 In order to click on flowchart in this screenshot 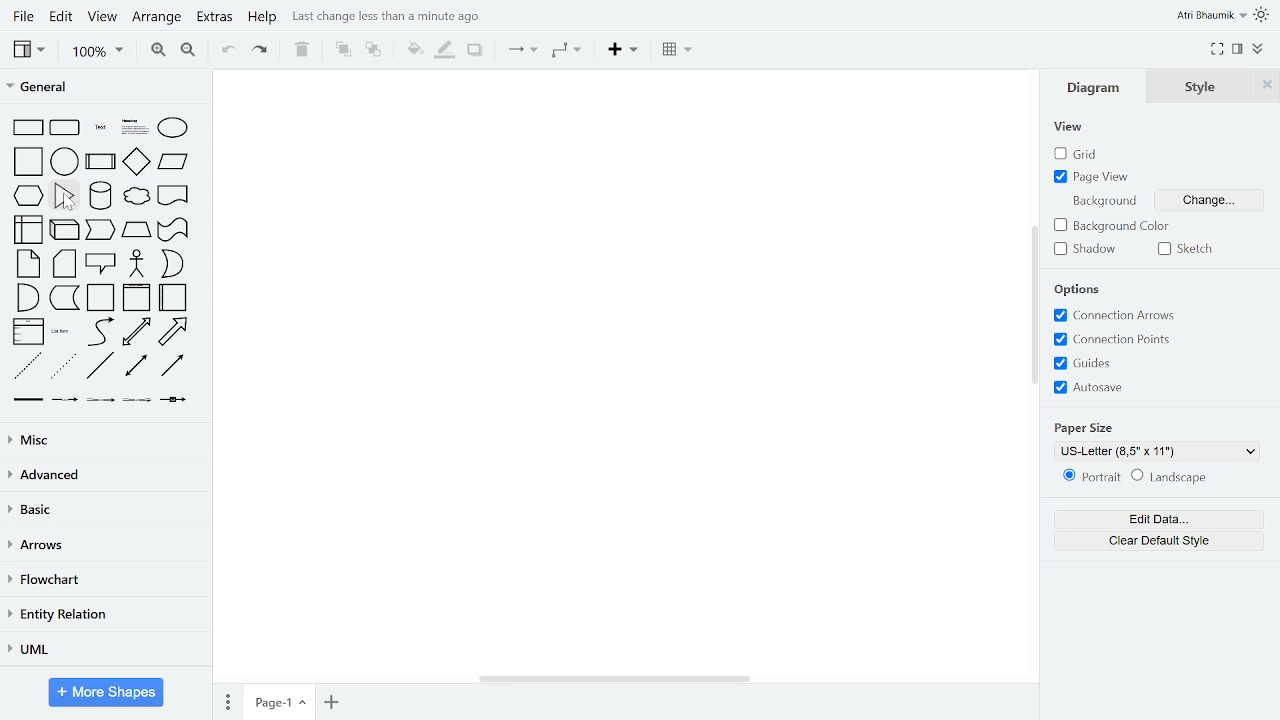, I will do `click(104, 580)`.